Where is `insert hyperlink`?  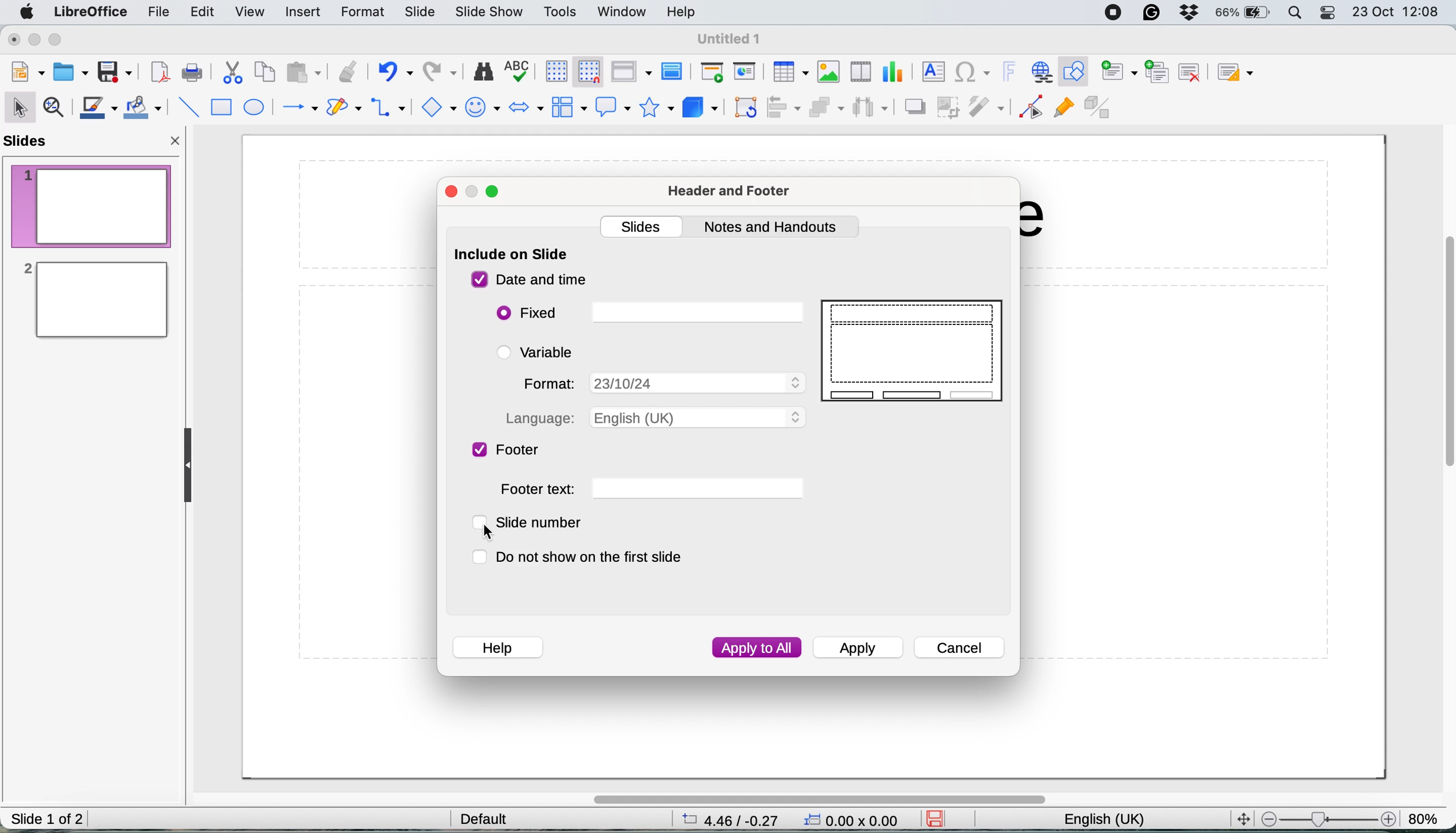 insert hyperlink is located at coordinates (1040, 72).